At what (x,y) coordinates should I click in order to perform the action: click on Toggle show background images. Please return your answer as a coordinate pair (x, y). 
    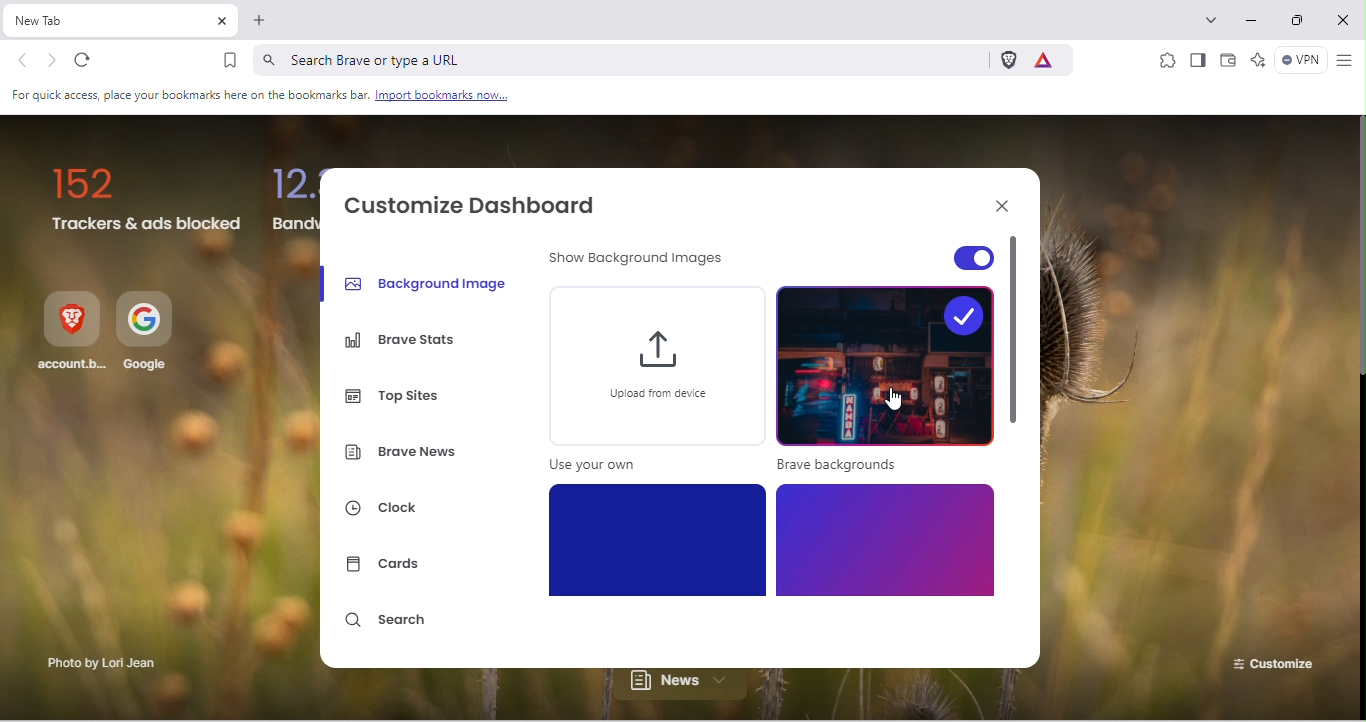
    Looking at the image, I should click on (935, 253).